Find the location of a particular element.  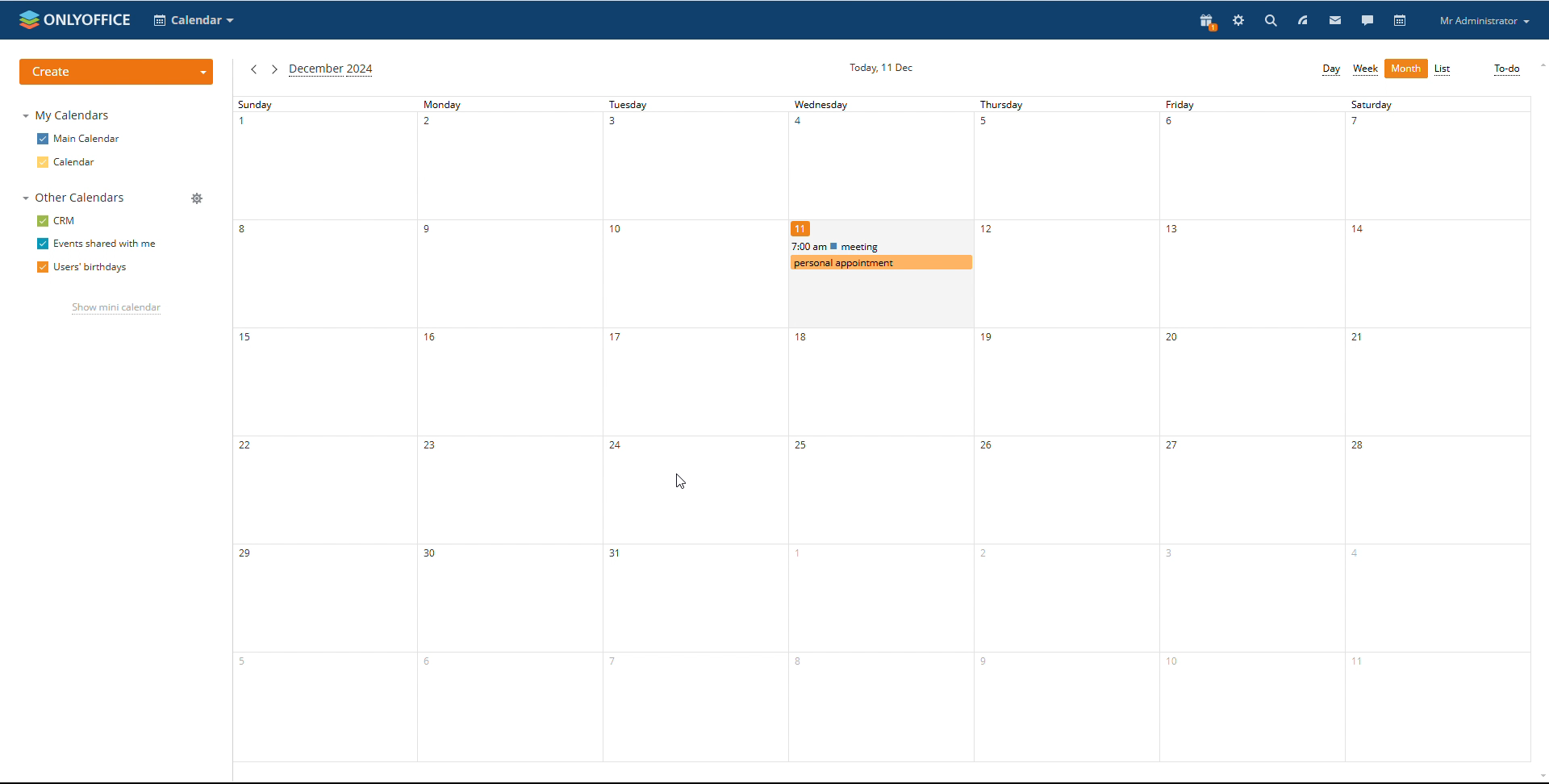

show mini calendar is located at coordinates (115, 309).